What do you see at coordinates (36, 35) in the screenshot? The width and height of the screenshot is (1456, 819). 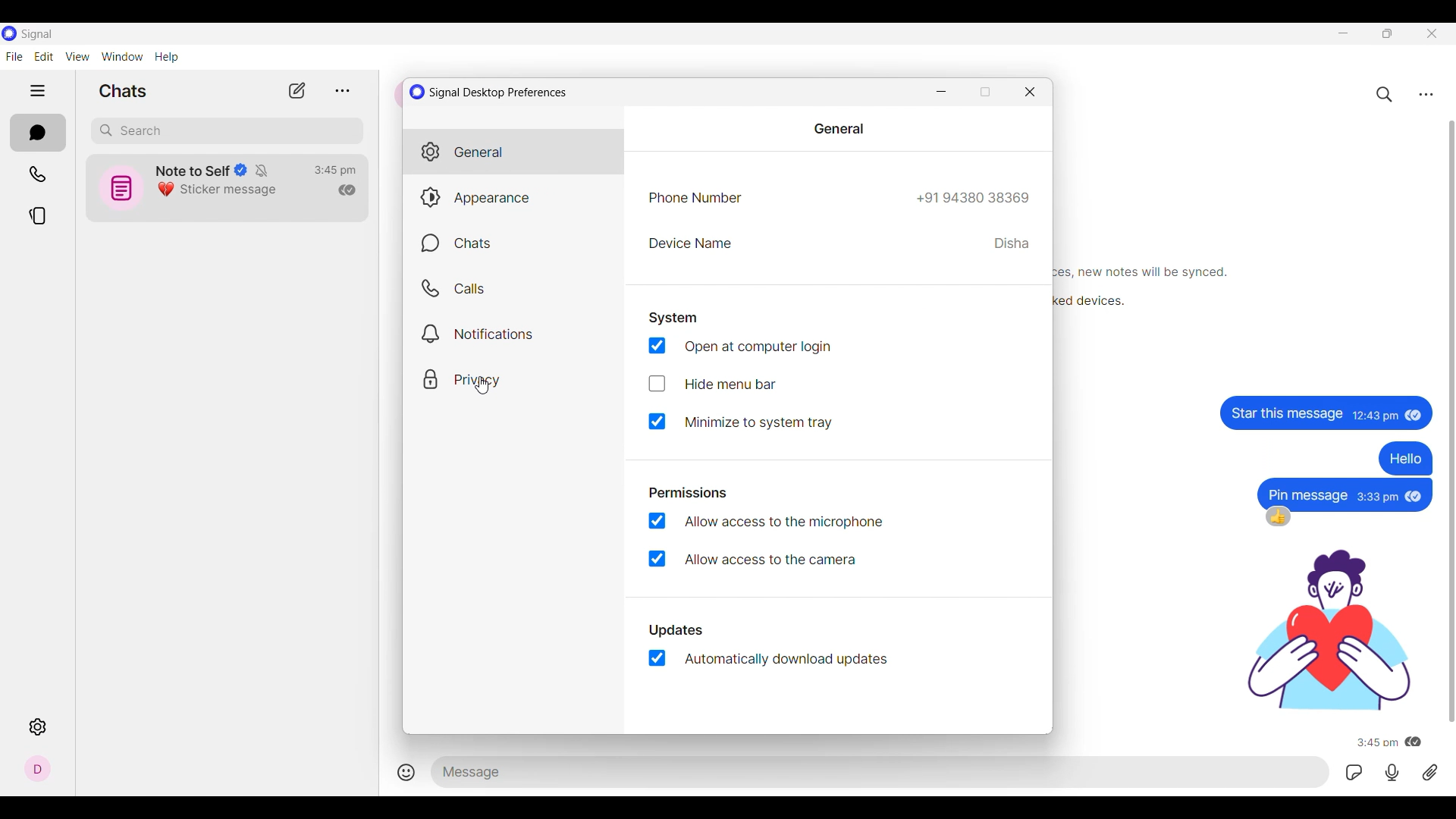 I see `Software name` at bounding box center [36, 35].